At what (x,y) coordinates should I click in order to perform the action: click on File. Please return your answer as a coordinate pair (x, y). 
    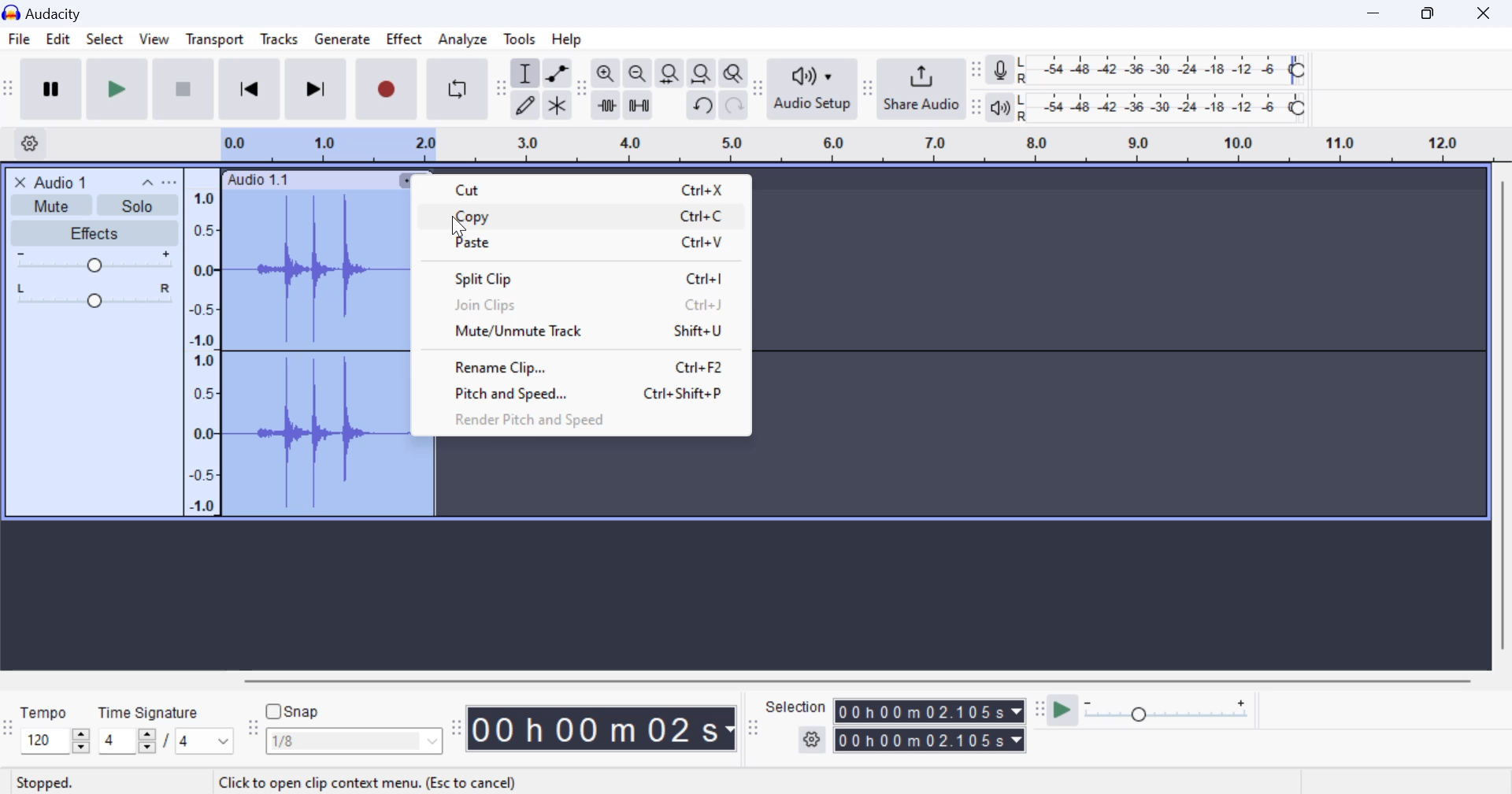
    Looking at the image, I should click on (18, 39).